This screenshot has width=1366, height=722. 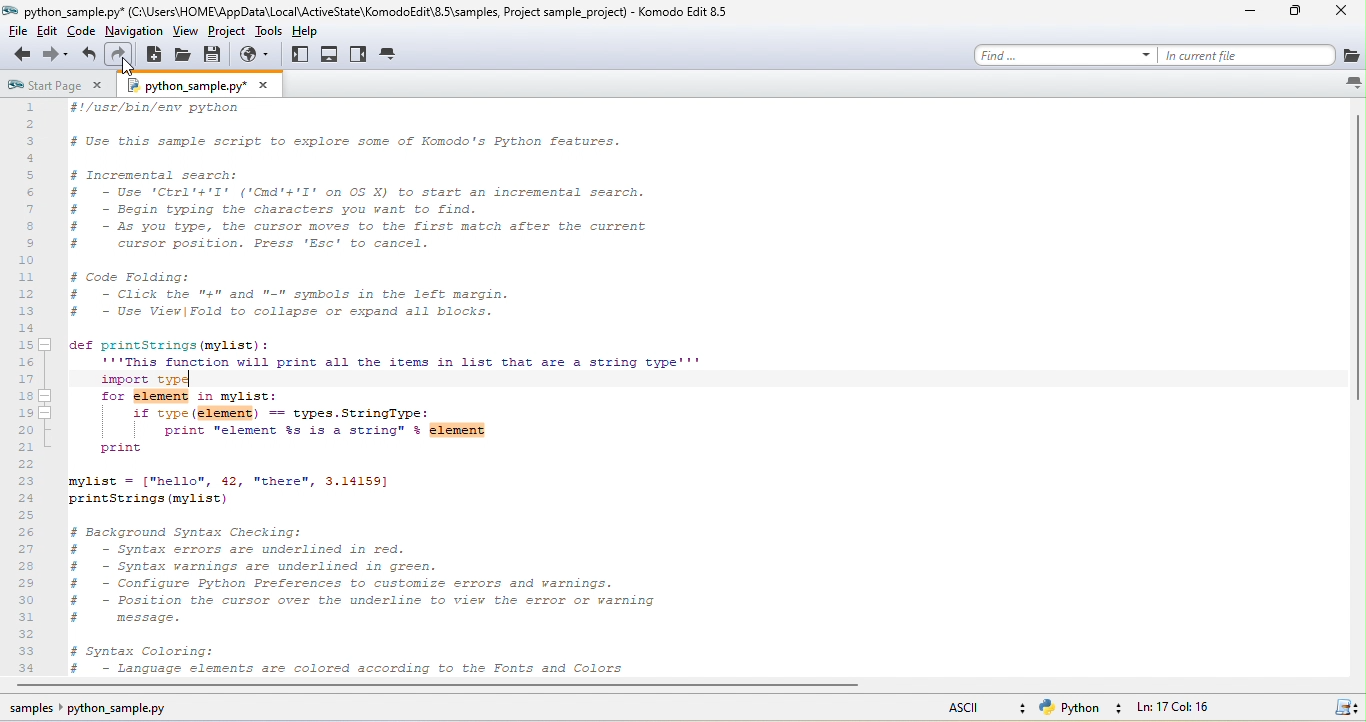 What do you see at coordinates (183, 56) in the screenshot?
I see `open` at bounding box center [183, 56].